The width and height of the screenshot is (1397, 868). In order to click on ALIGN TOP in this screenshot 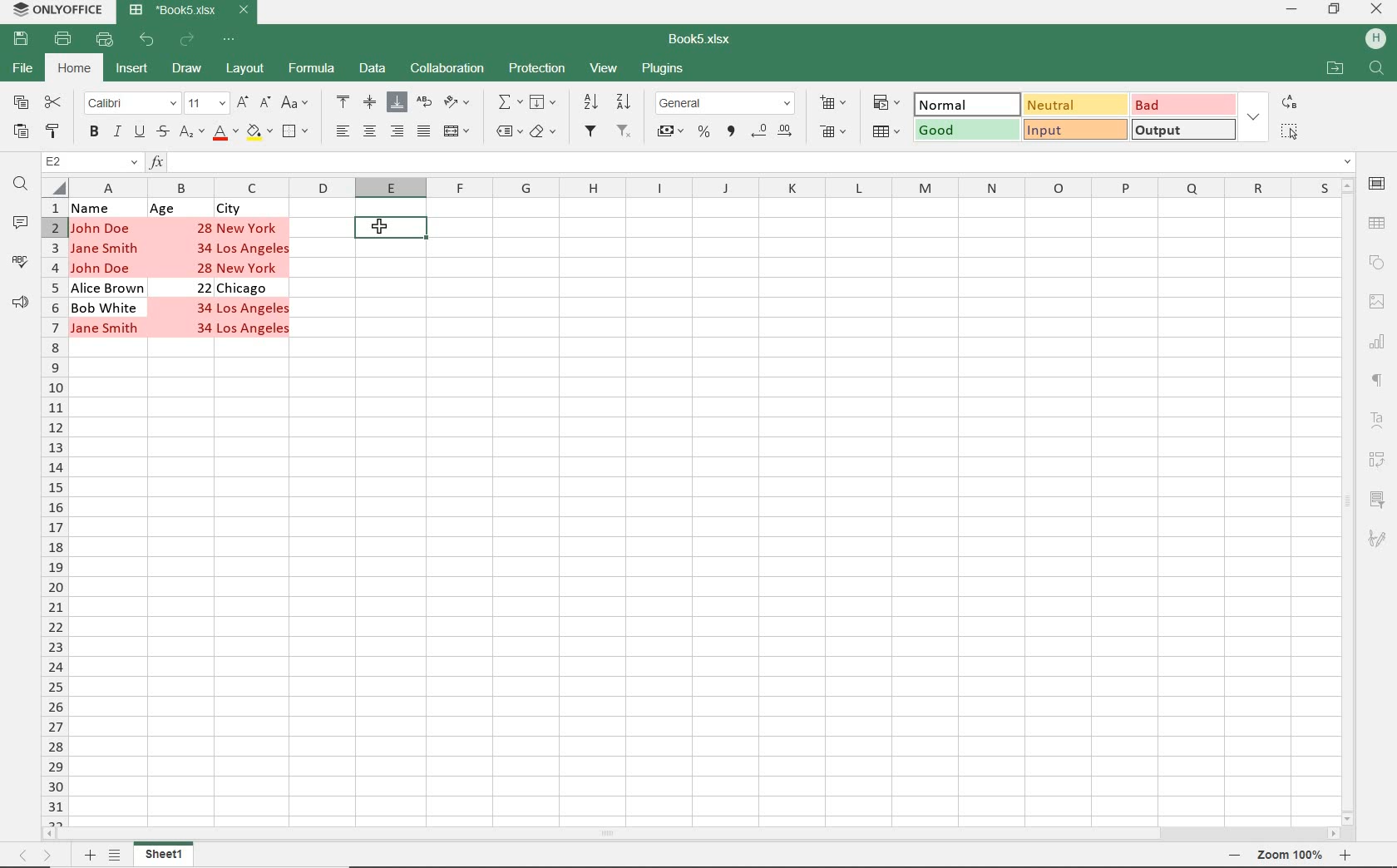, I will do `click(343, 103)`.